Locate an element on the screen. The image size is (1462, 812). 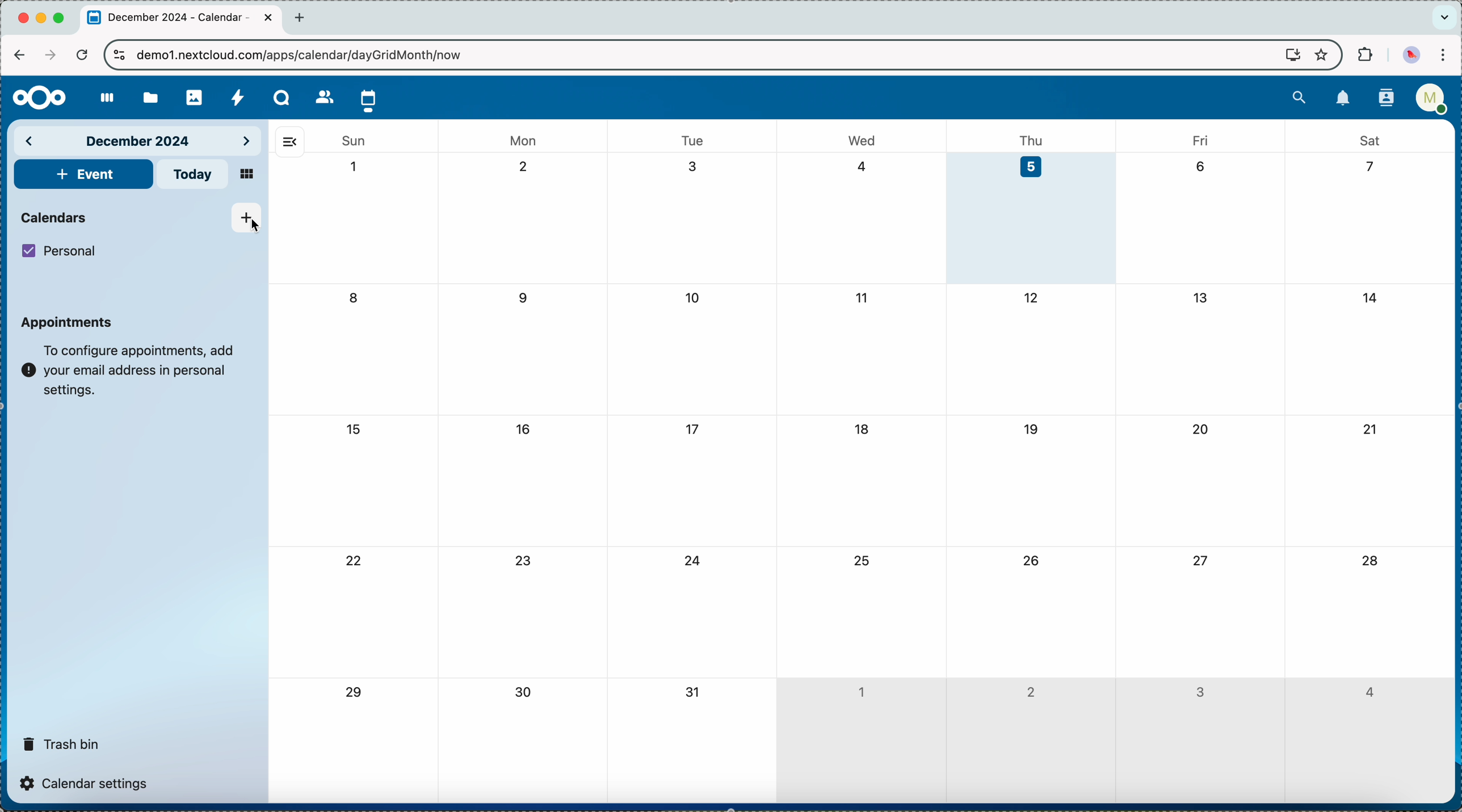
photos is located at coordinates (194, 94).